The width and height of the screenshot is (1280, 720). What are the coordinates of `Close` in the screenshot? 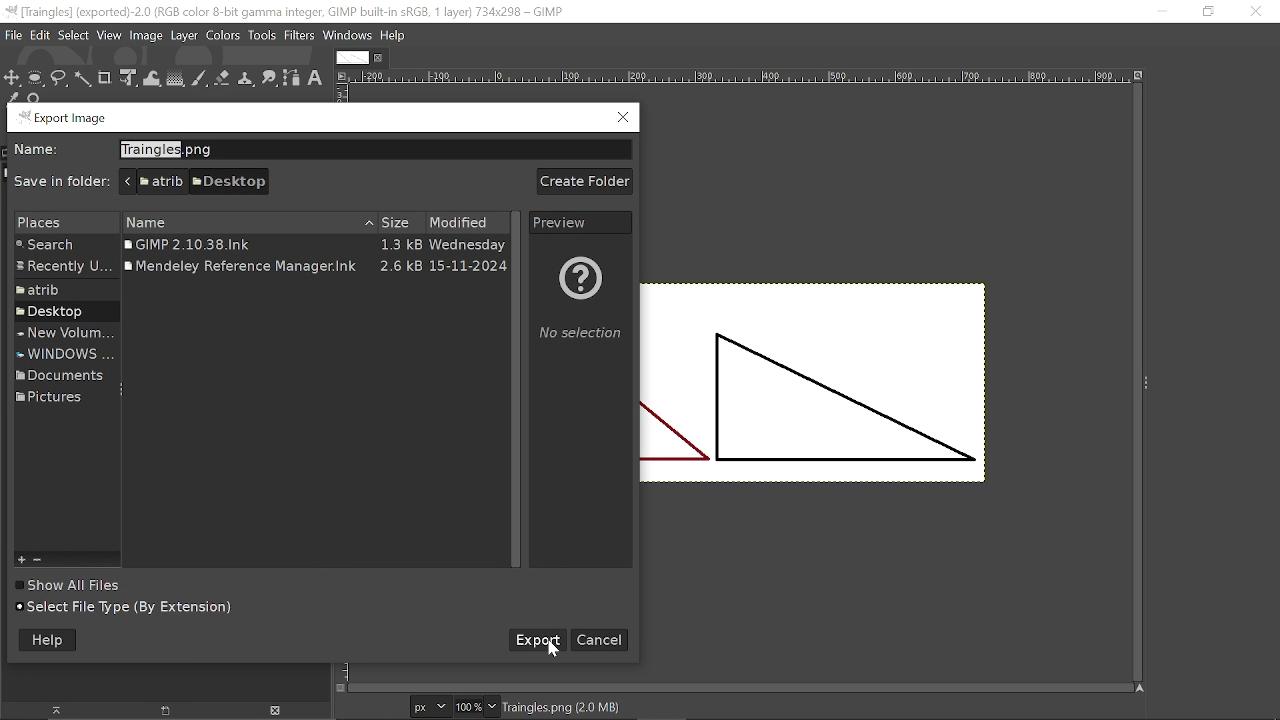 It's located at (624, 118).